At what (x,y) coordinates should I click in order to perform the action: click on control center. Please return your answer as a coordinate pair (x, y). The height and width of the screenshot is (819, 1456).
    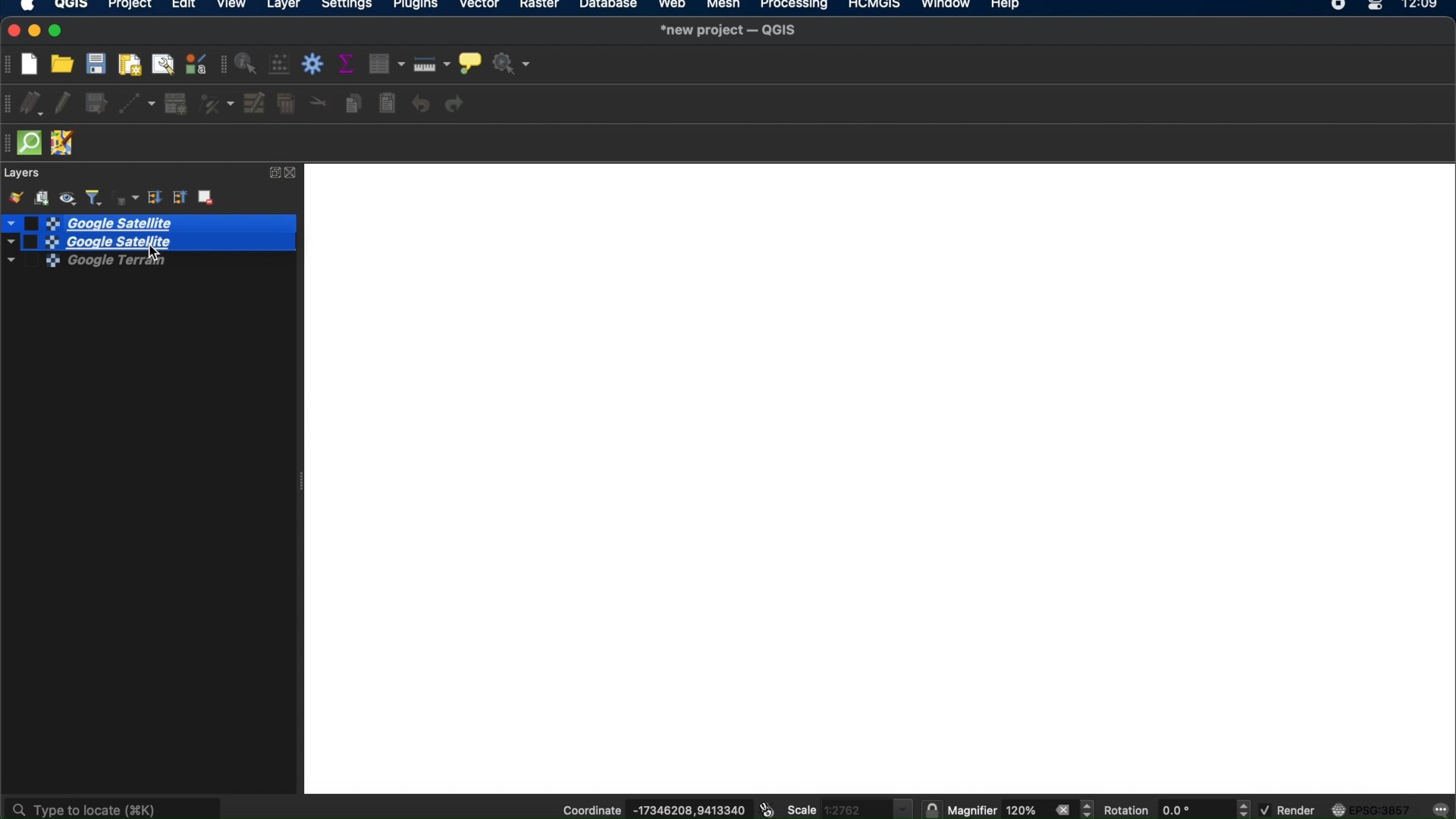
    Looking at the image, I should click on (1377, 6).